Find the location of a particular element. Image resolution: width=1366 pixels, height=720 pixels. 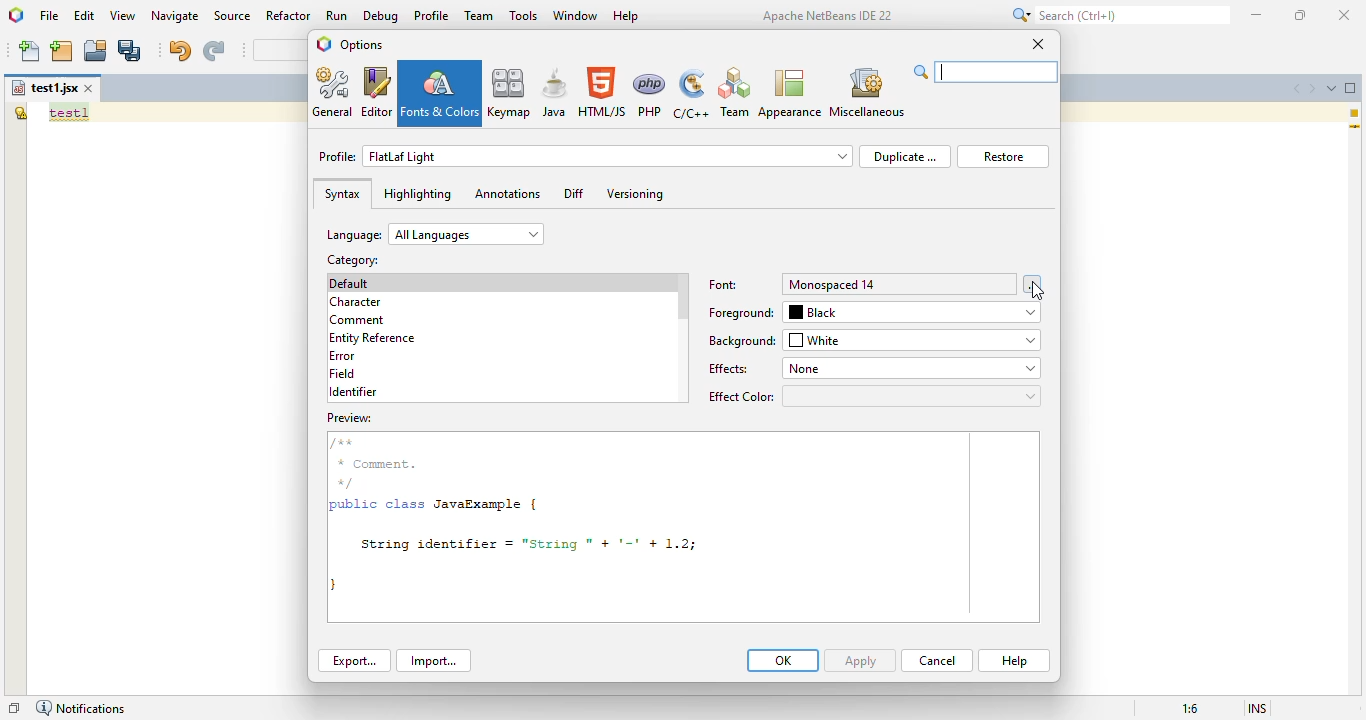

refactor is located at coordinates (289, 16).